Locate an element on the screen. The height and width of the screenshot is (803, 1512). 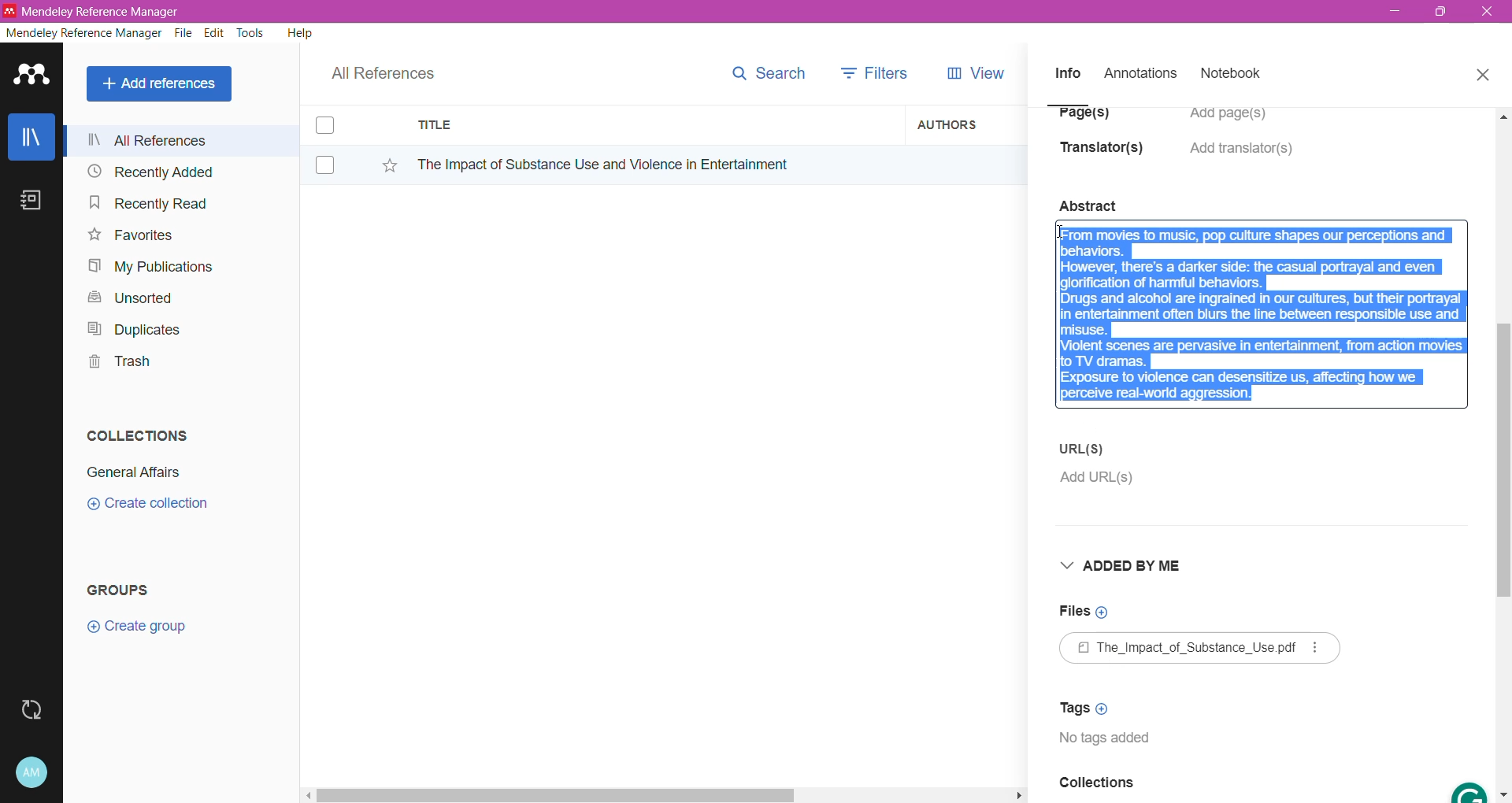
Click to Add URL(s) is located at coordinates (1095, 481).